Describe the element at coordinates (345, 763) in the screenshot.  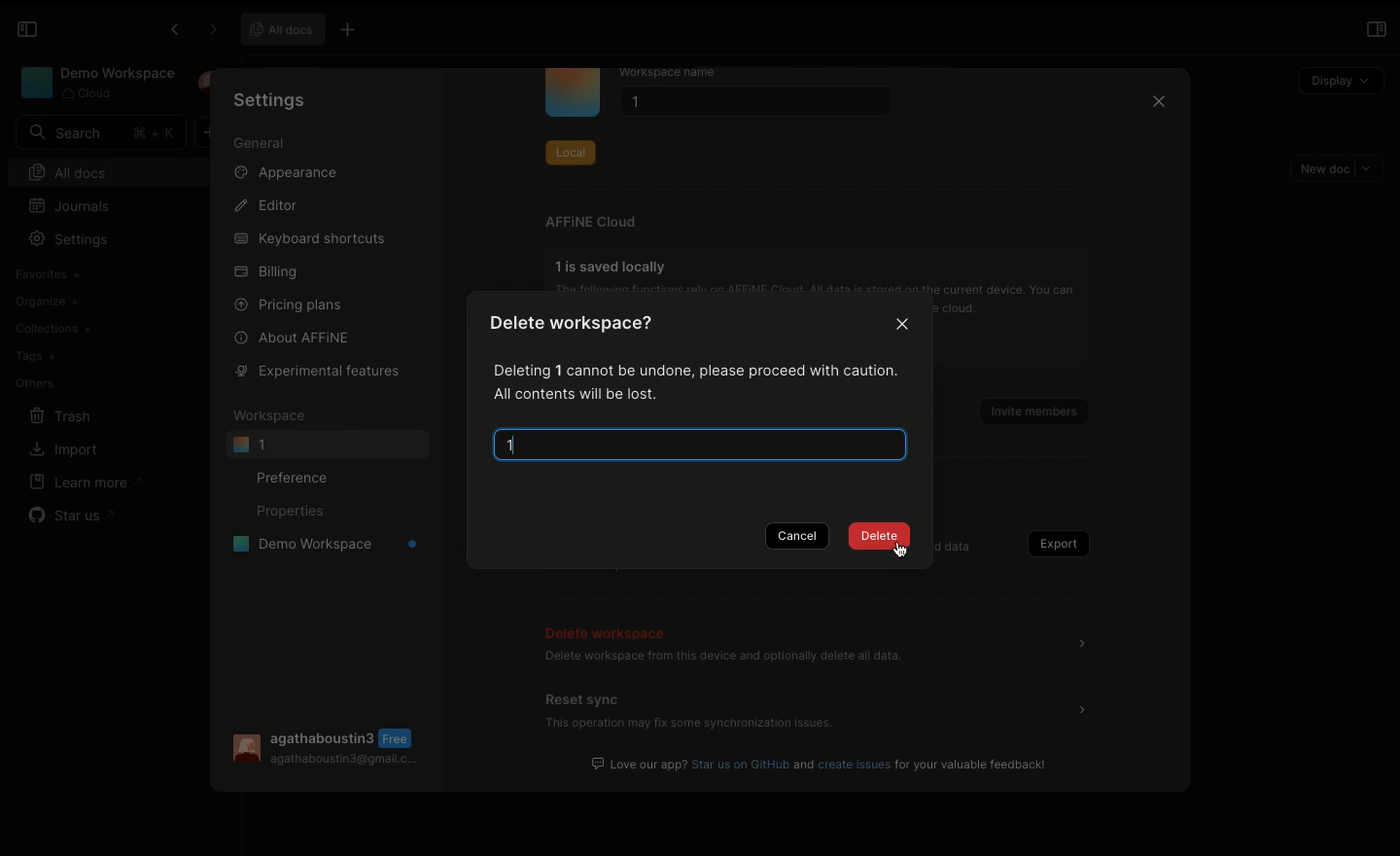
I see `agathaboustin3@gmail.c...` at that location.